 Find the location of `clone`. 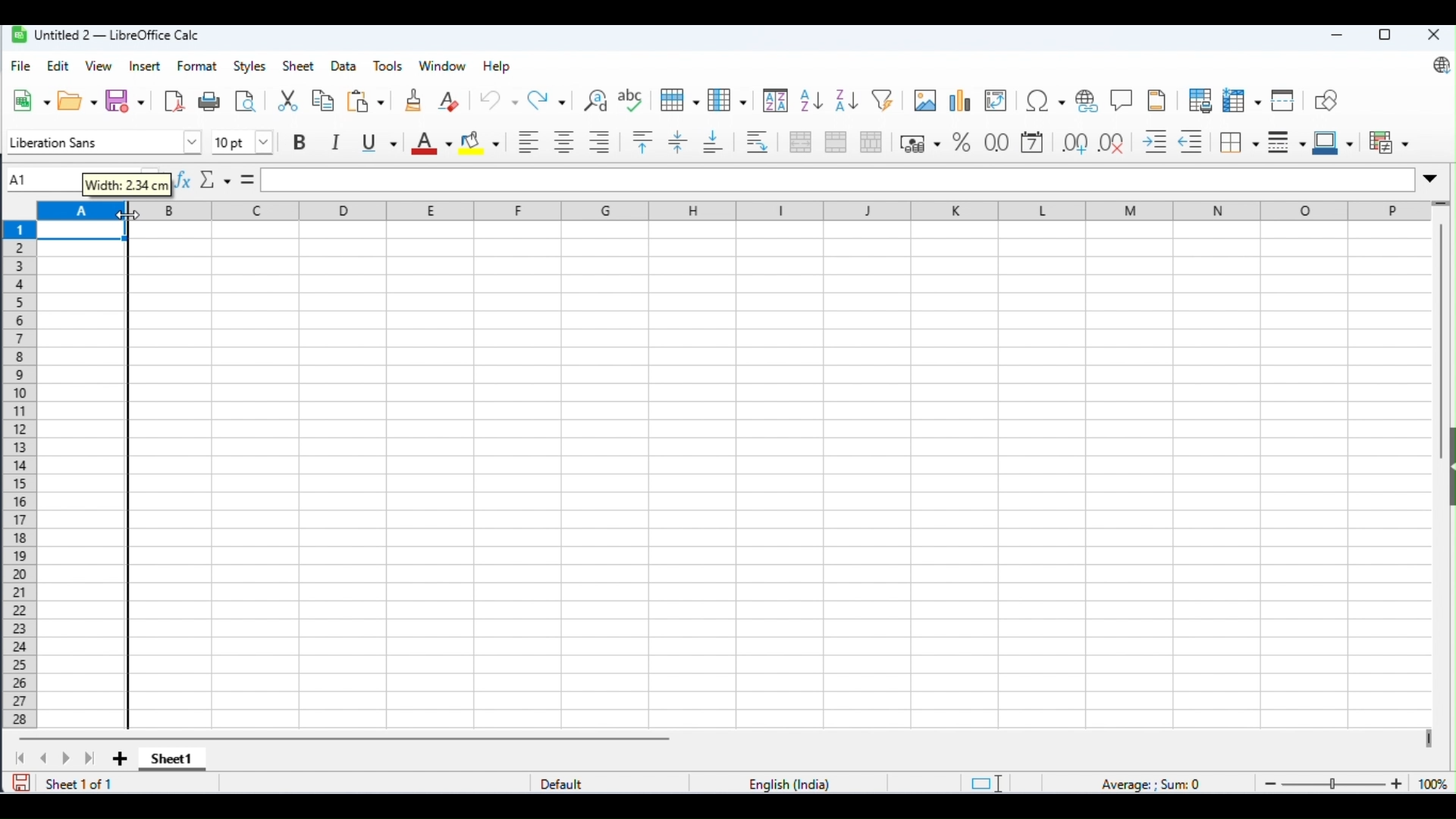

clone is located at coordinates (414, 99).